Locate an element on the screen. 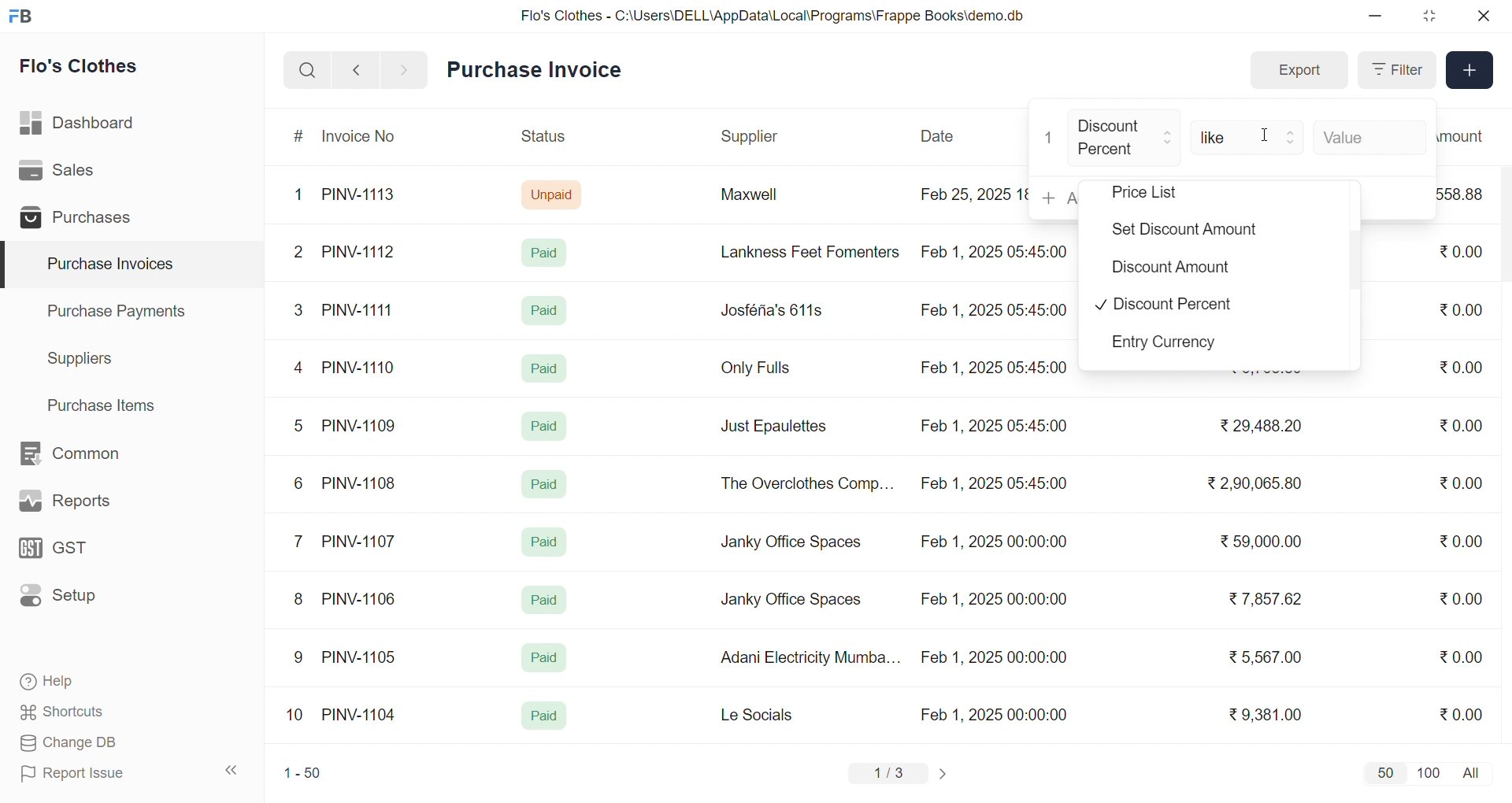 This screenshot has width=1512, height=803. Setup is located at coordinates (82, 601).